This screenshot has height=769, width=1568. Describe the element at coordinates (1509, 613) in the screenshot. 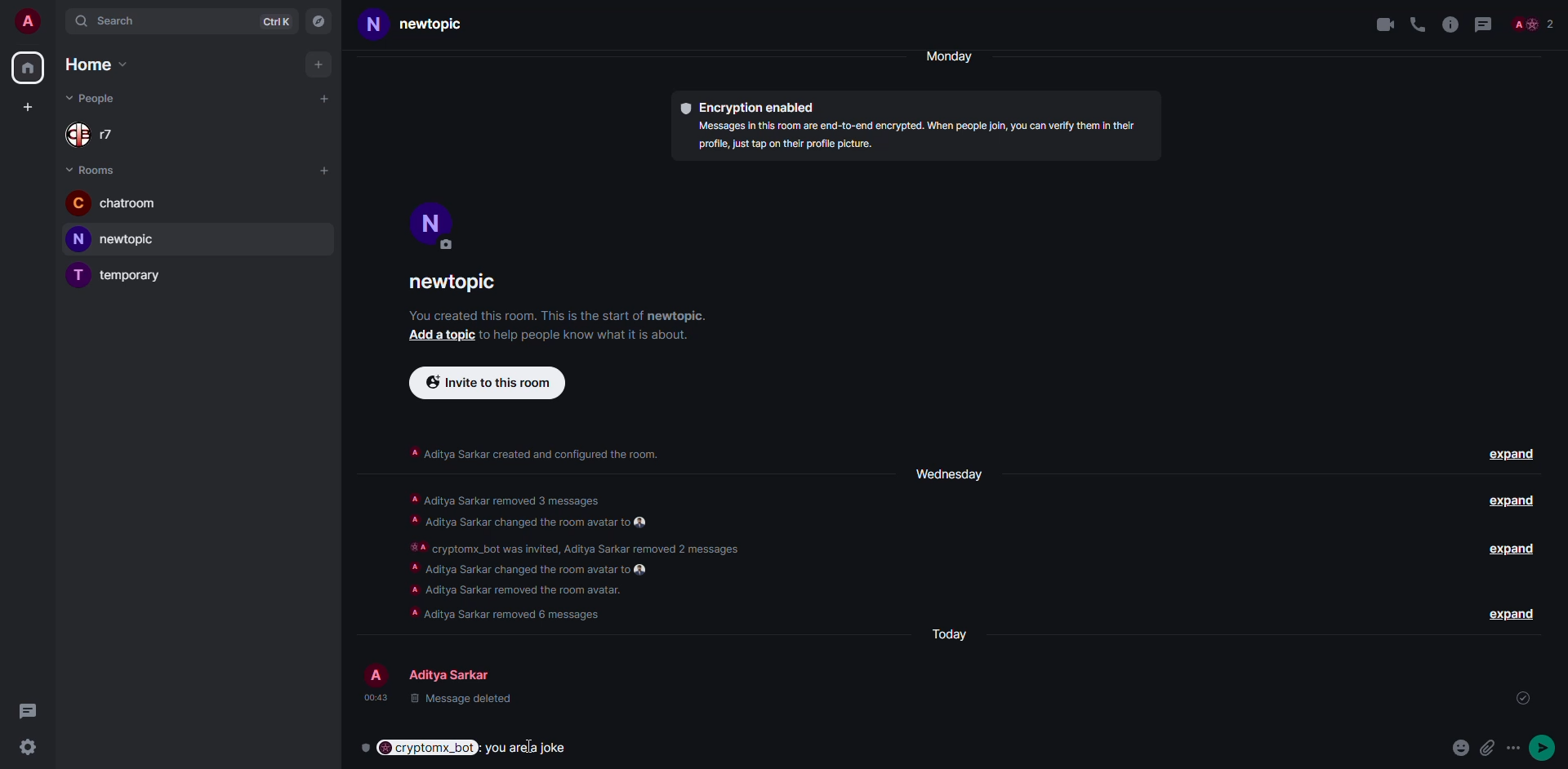

I see `expand` at that location.